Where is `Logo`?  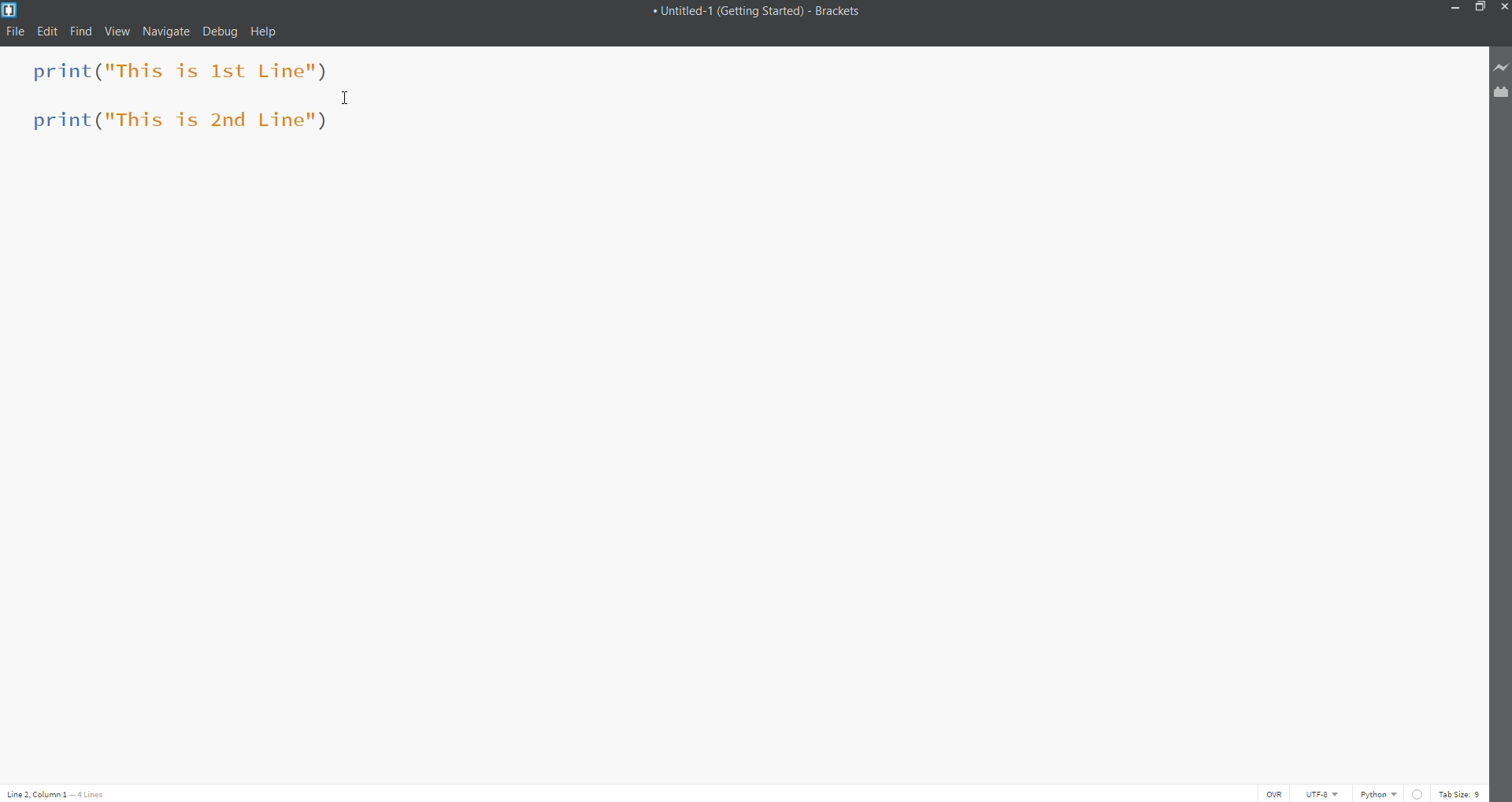 Logo is located at coordinates (12, 9).